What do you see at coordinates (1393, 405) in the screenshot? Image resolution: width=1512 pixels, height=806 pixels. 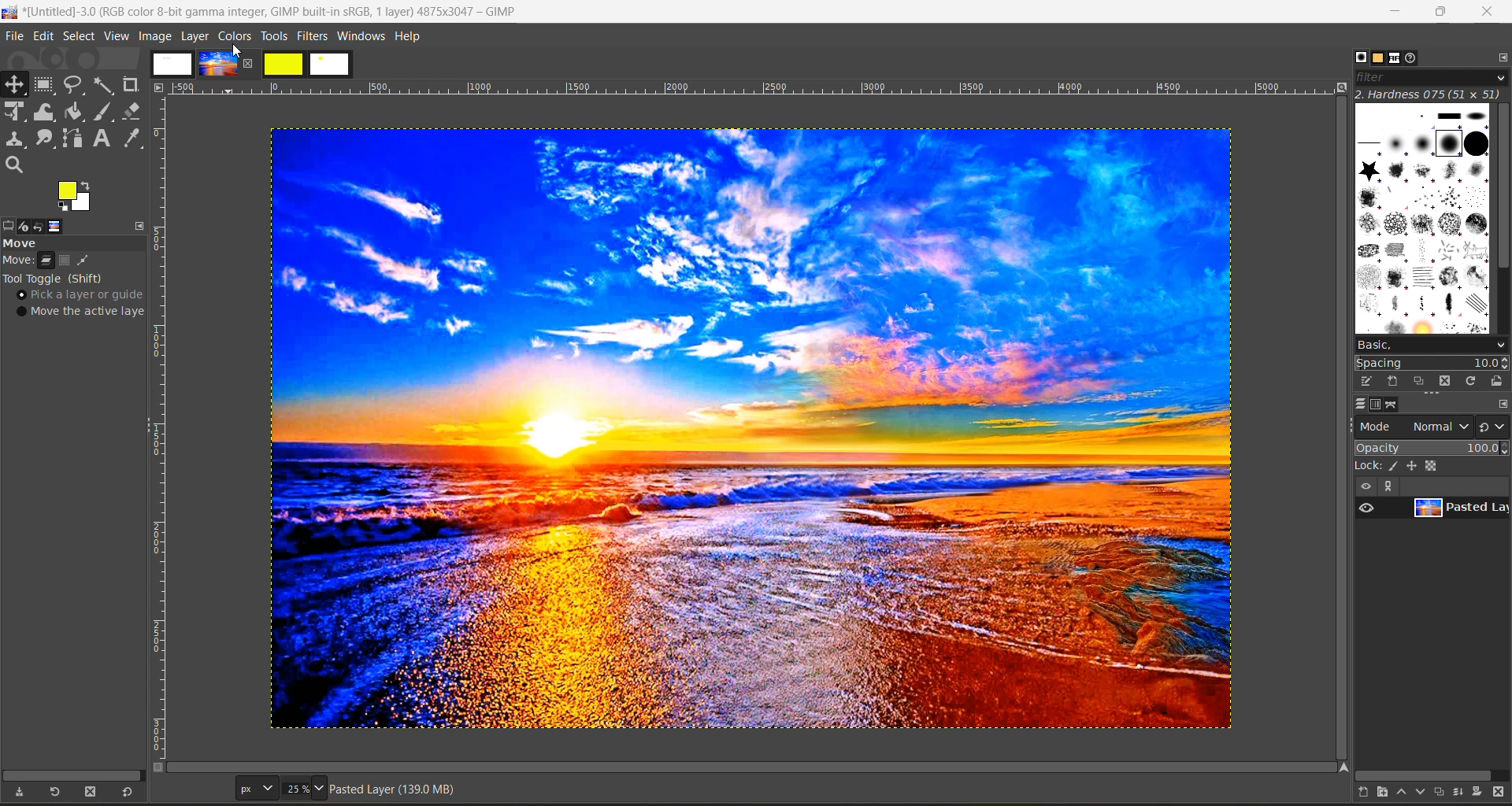 I see `paths` at bounding box center [1393, 405].